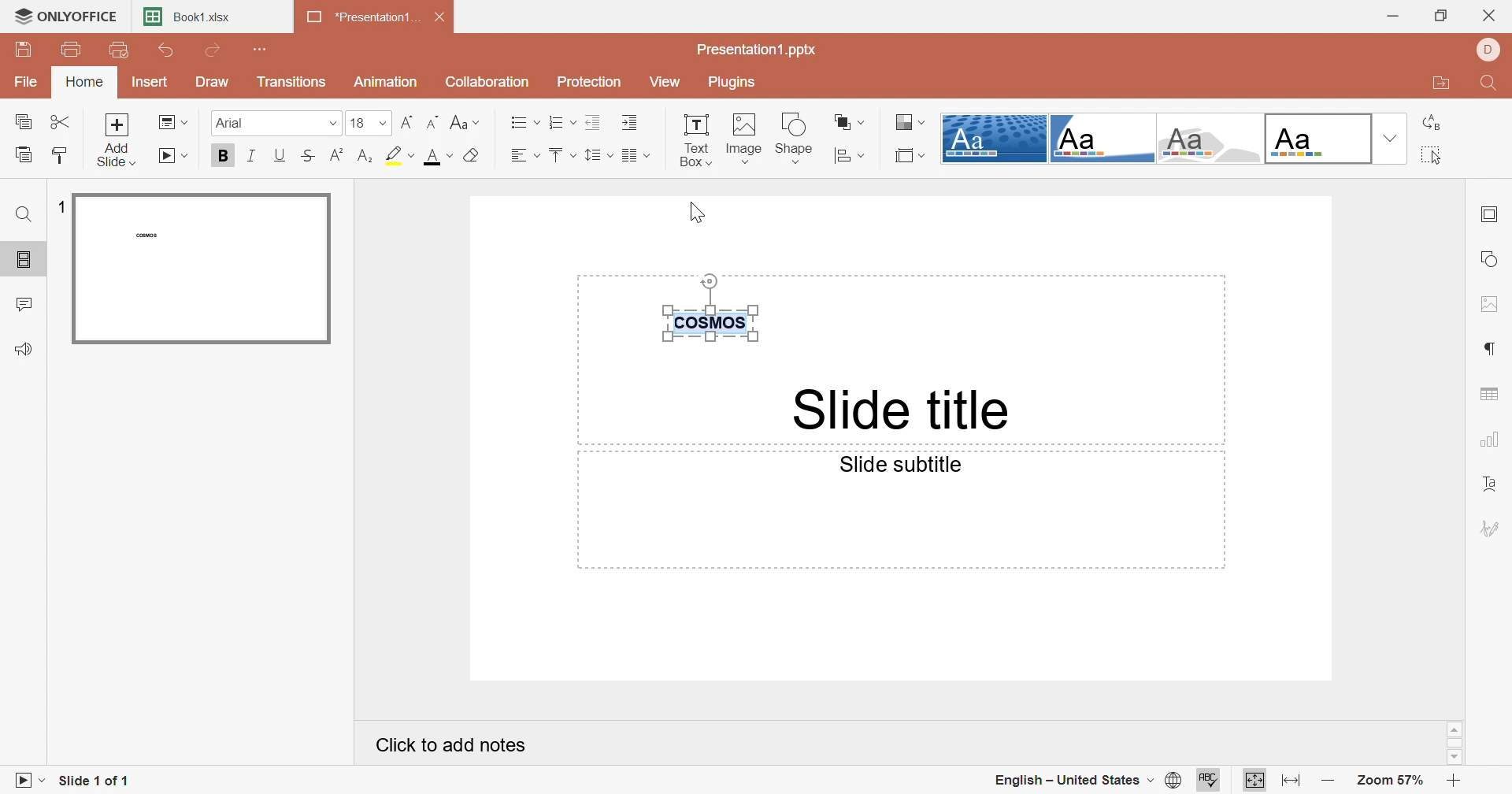 The width and height of the screenshot is (1512, 794). What do you see at coordinates (1329, 783) in the screenshot?
I see `Zoom out` at bounding box center [1329, 783].